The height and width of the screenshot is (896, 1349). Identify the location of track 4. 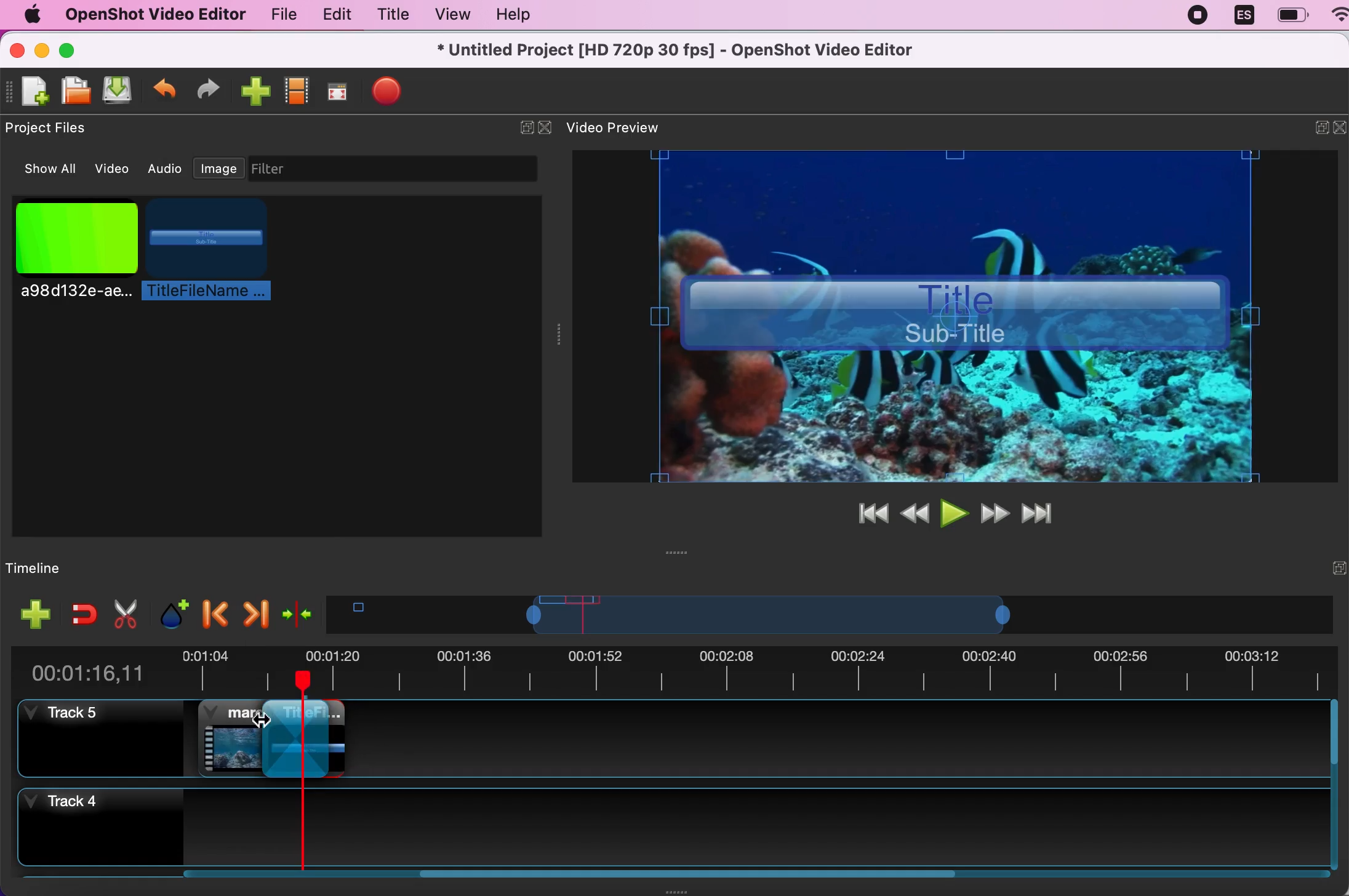
(676, 830).